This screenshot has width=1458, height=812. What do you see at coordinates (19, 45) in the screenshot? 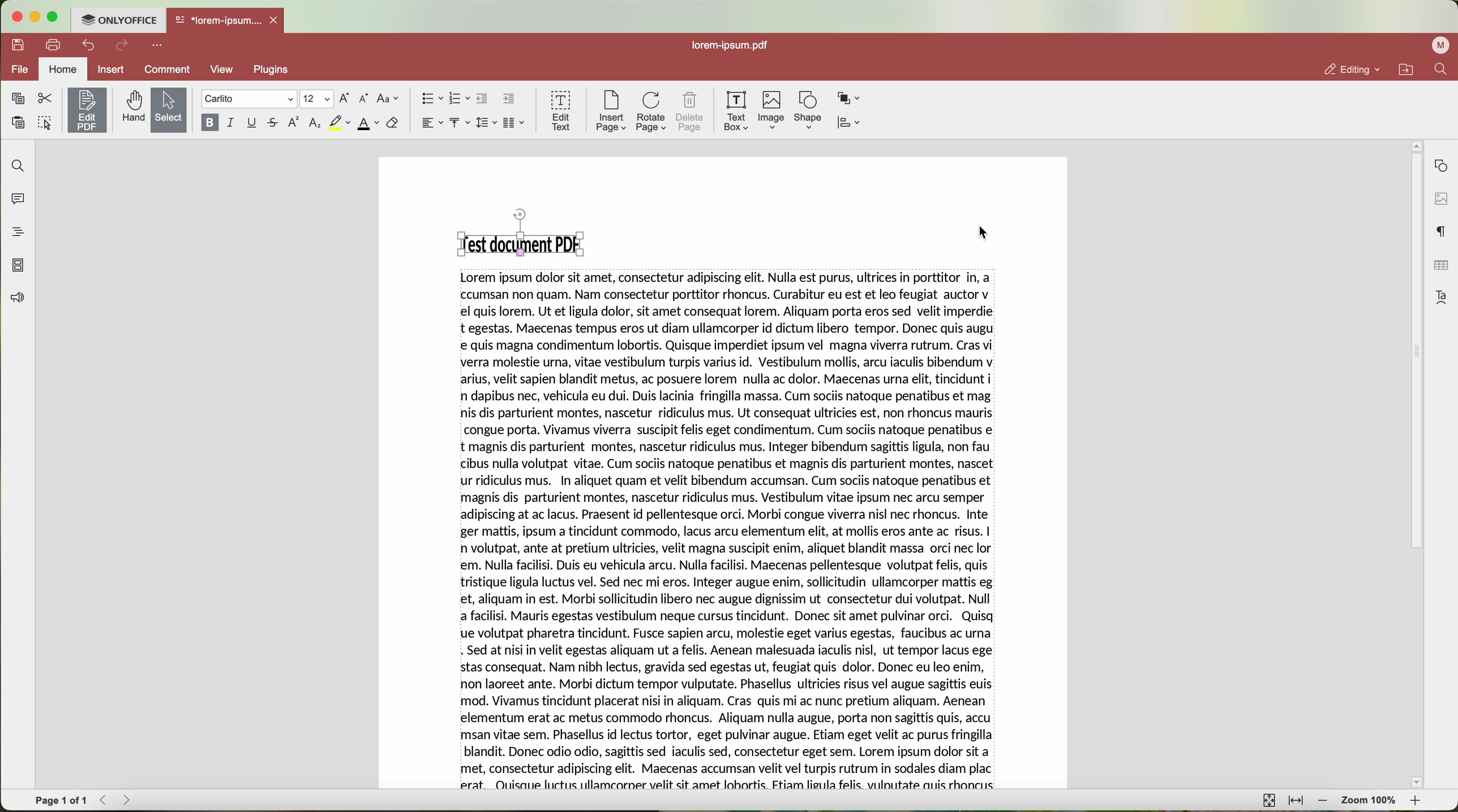
I see `save` at bounding box center [19, 45].